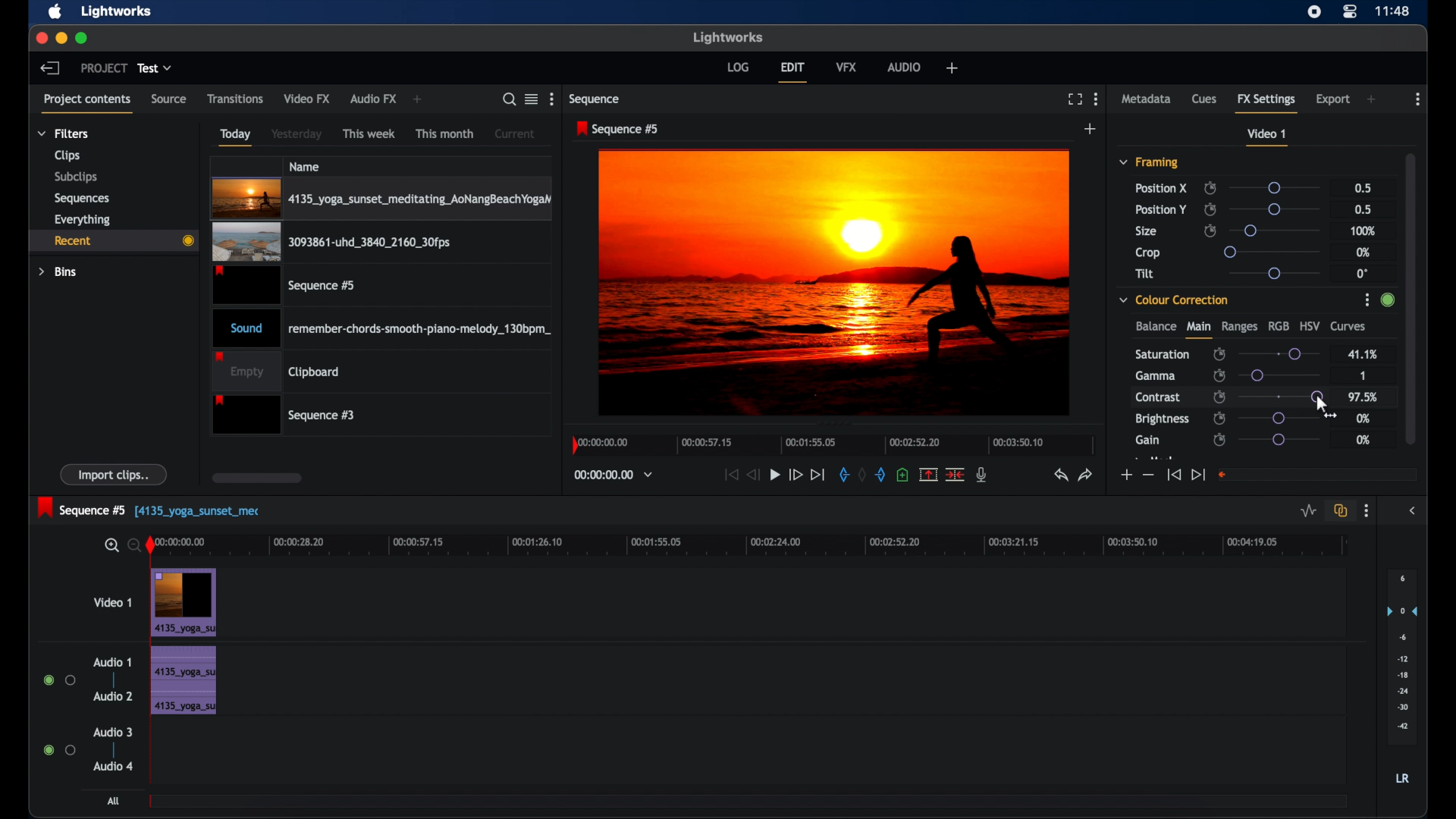  Describe the element at coordinates (1150, 163) in the screenshot. I see `framing` at that location.